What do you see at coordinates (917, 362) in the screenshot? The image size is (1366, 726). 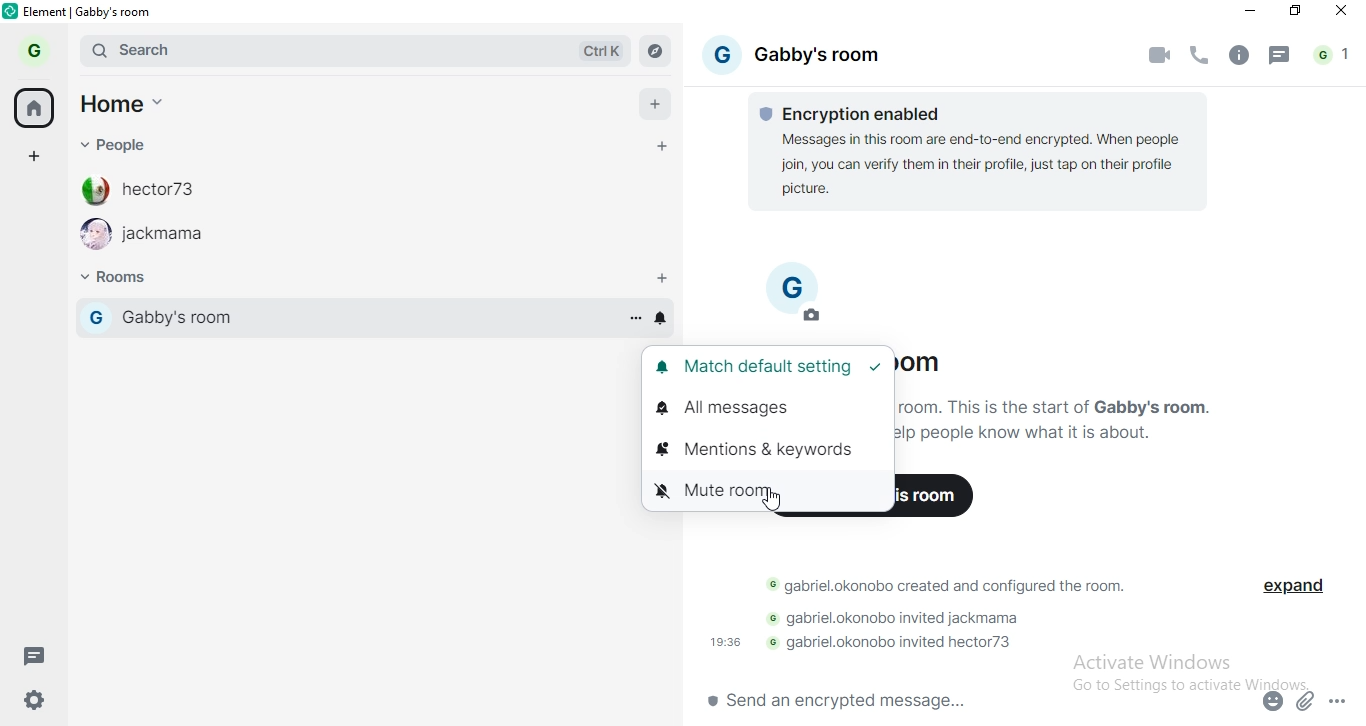 I see `Gabby's room` at bounding box center [917, 362].